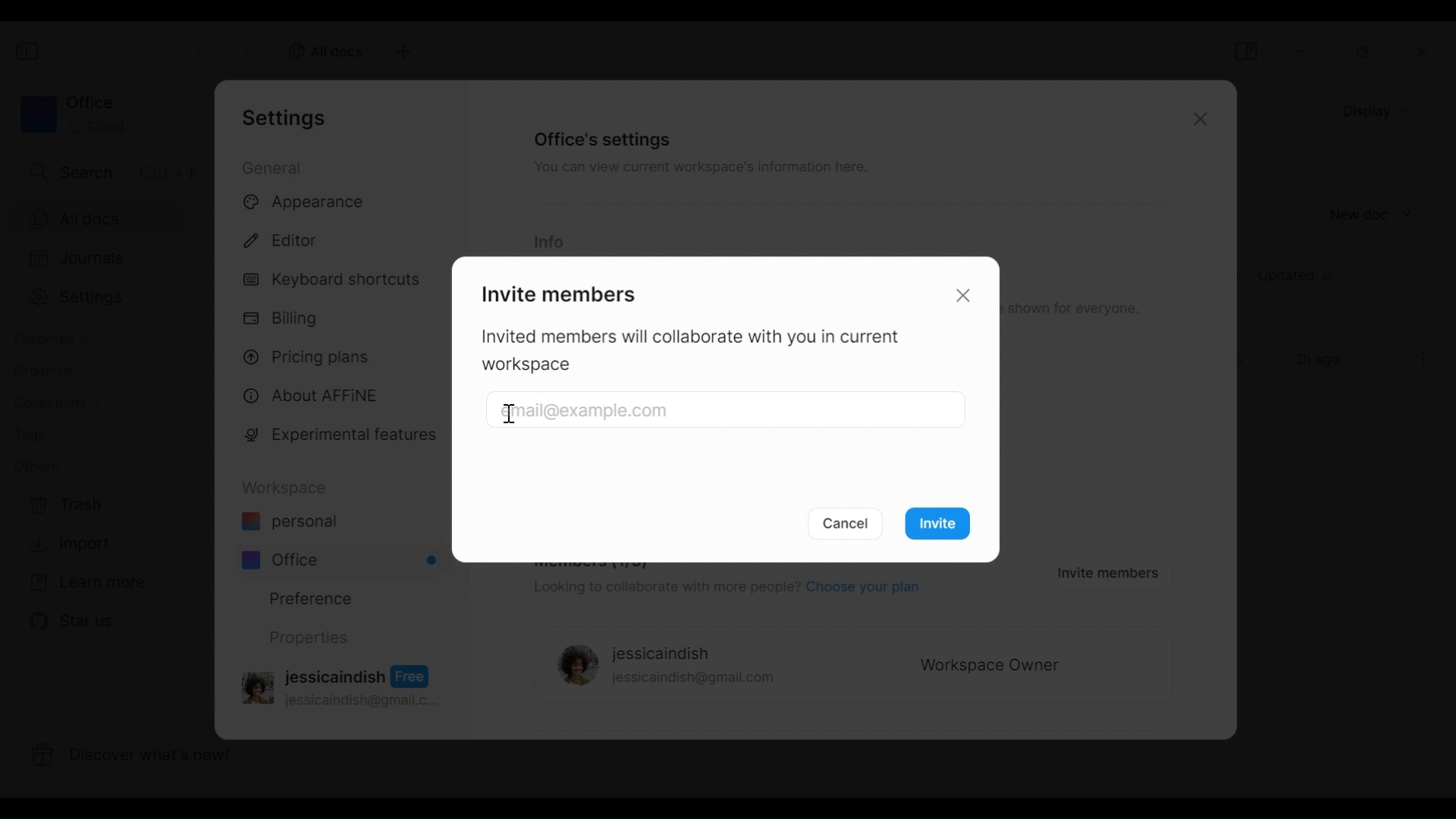 This screenshot has width=1456, height=819. Describe the element at coordinates (284, 319) in the screenshot. I see `Biling` at that location.